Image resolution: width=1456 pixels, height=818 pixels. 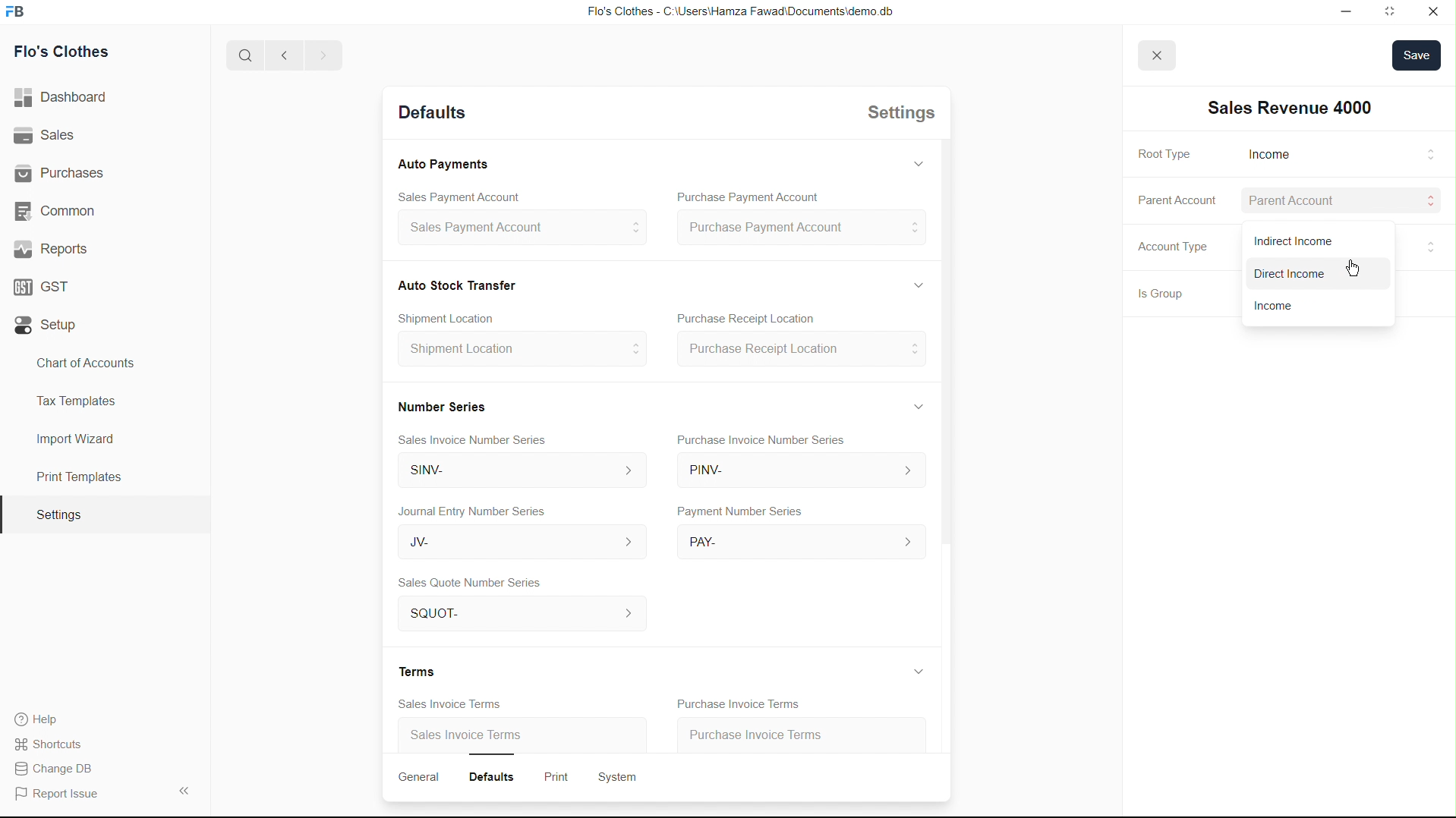 What do you see at coordinates (430, 114) in the screenshot?
I see `Detaults` at bounding box center [430, 114].